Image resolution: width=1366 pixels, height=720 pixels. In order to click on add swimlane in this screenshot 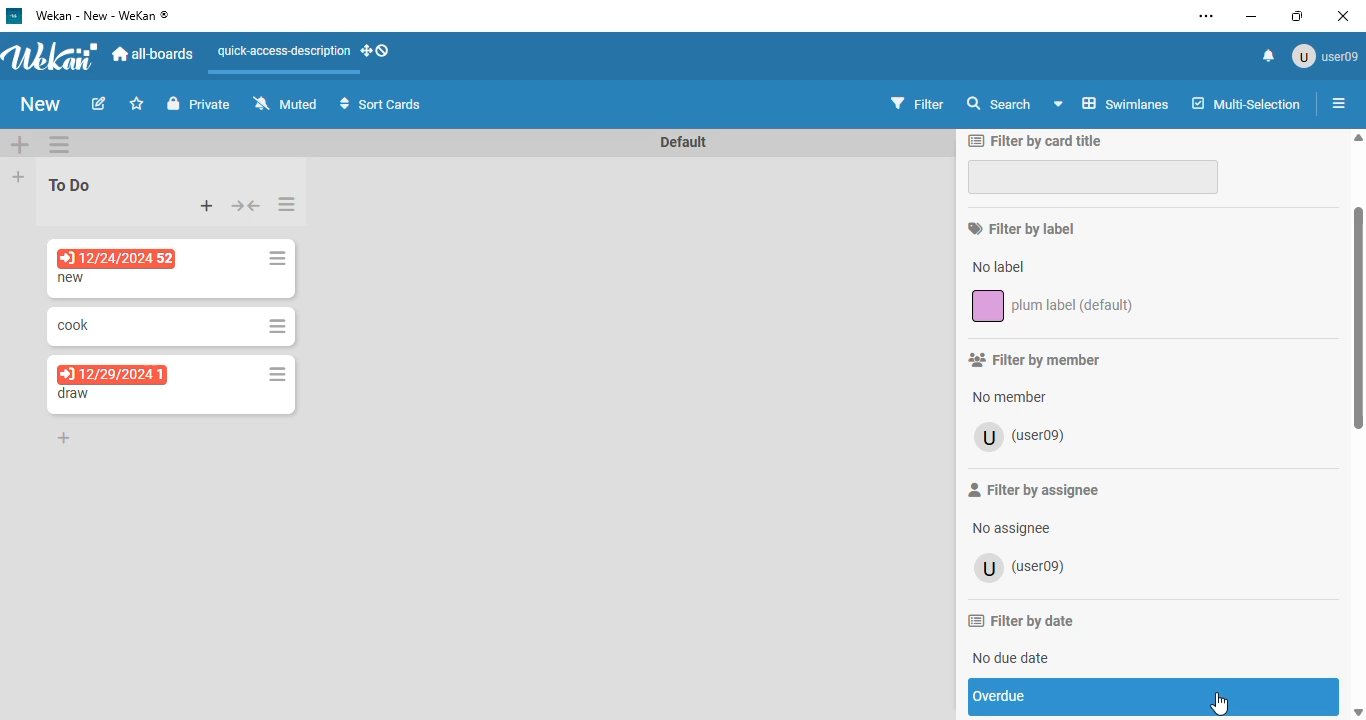, I will do `click(21, 143)`.